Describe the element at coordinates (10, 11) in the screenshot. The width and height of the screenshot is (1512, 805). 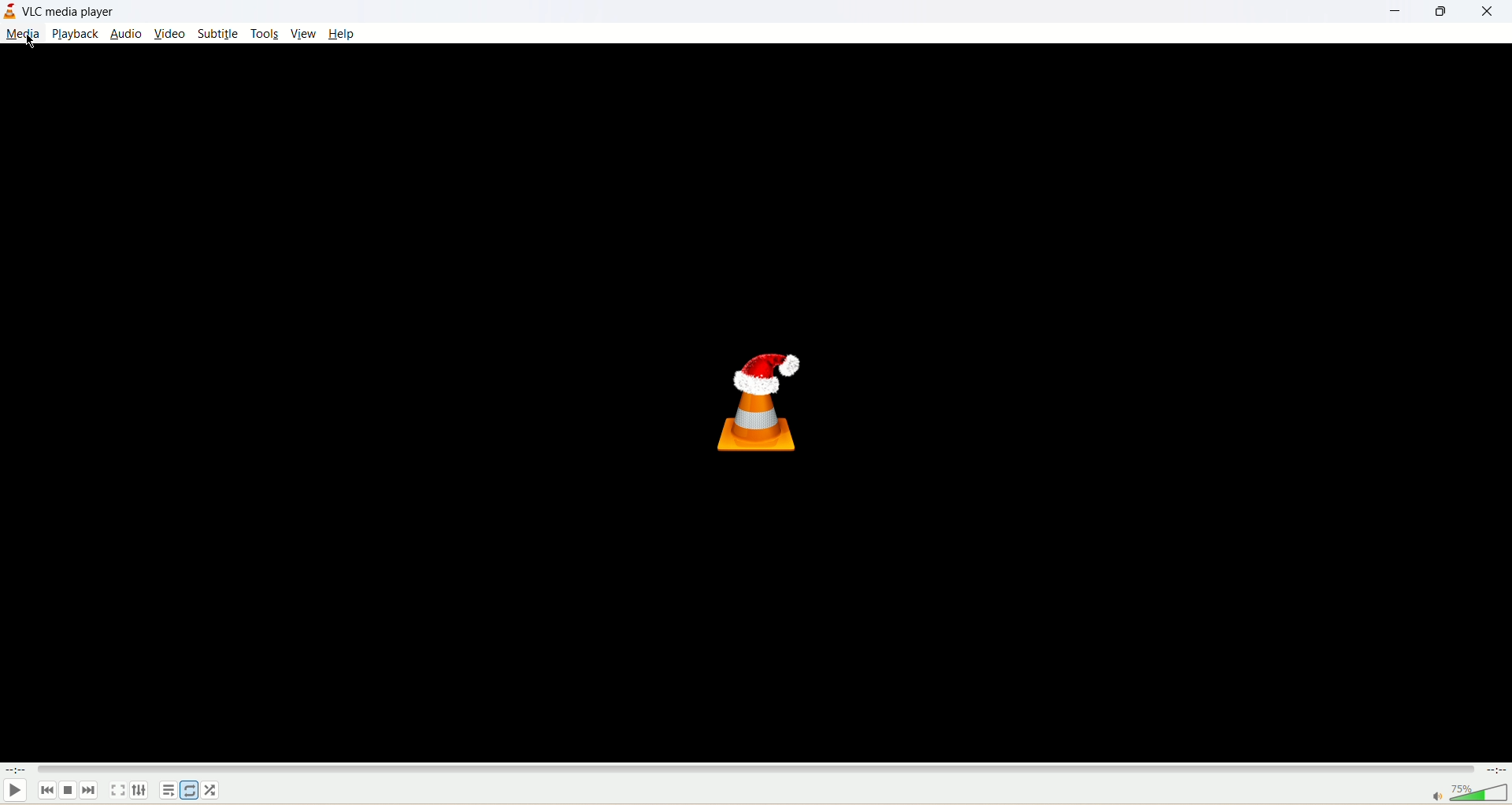
I see `logo` at that location.